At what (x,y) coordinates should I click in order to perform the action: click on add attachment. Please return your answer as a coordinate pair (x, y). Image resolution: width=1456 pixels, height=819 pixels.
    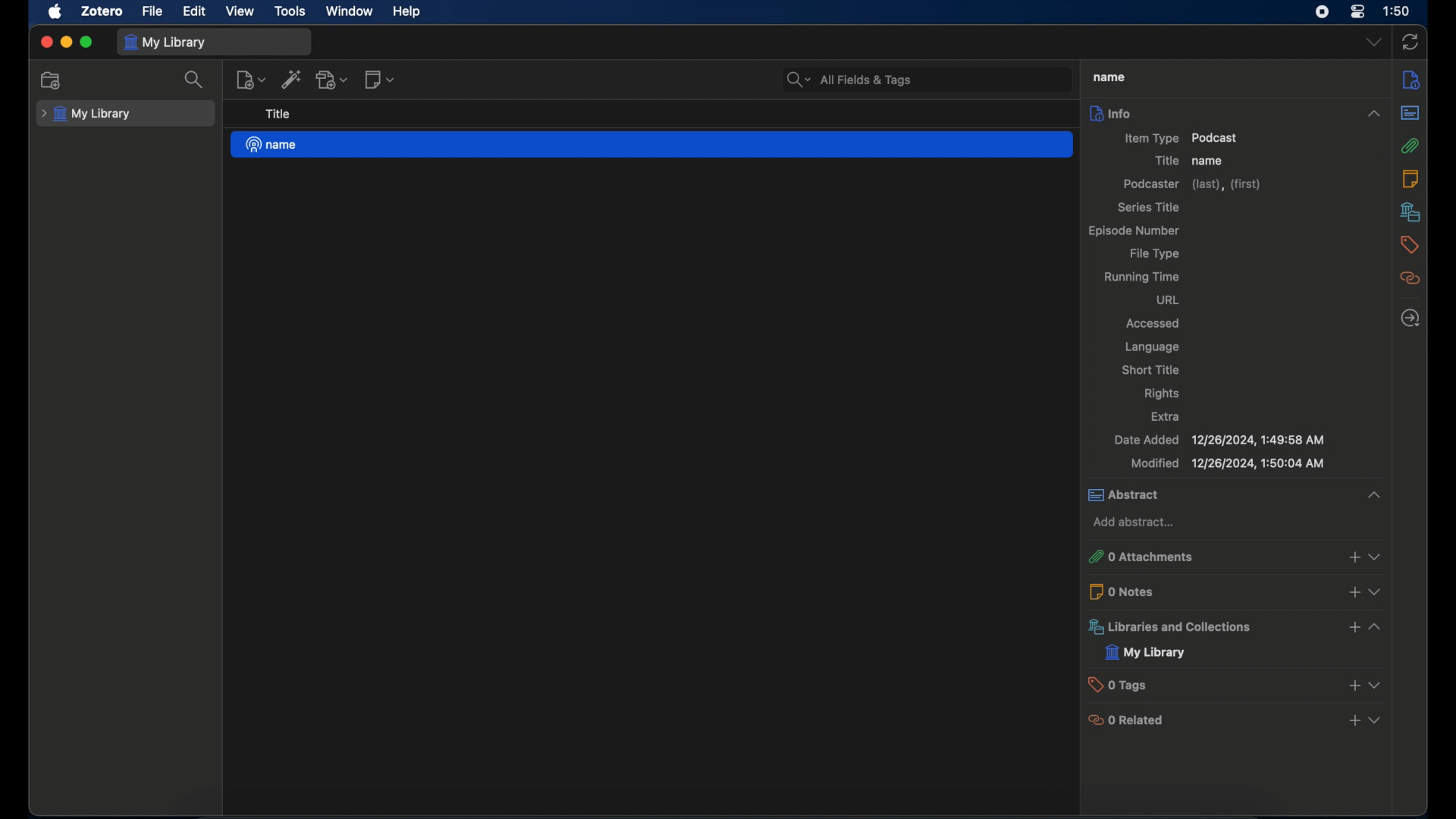
    Looking at the image, I should click on (332, 79).